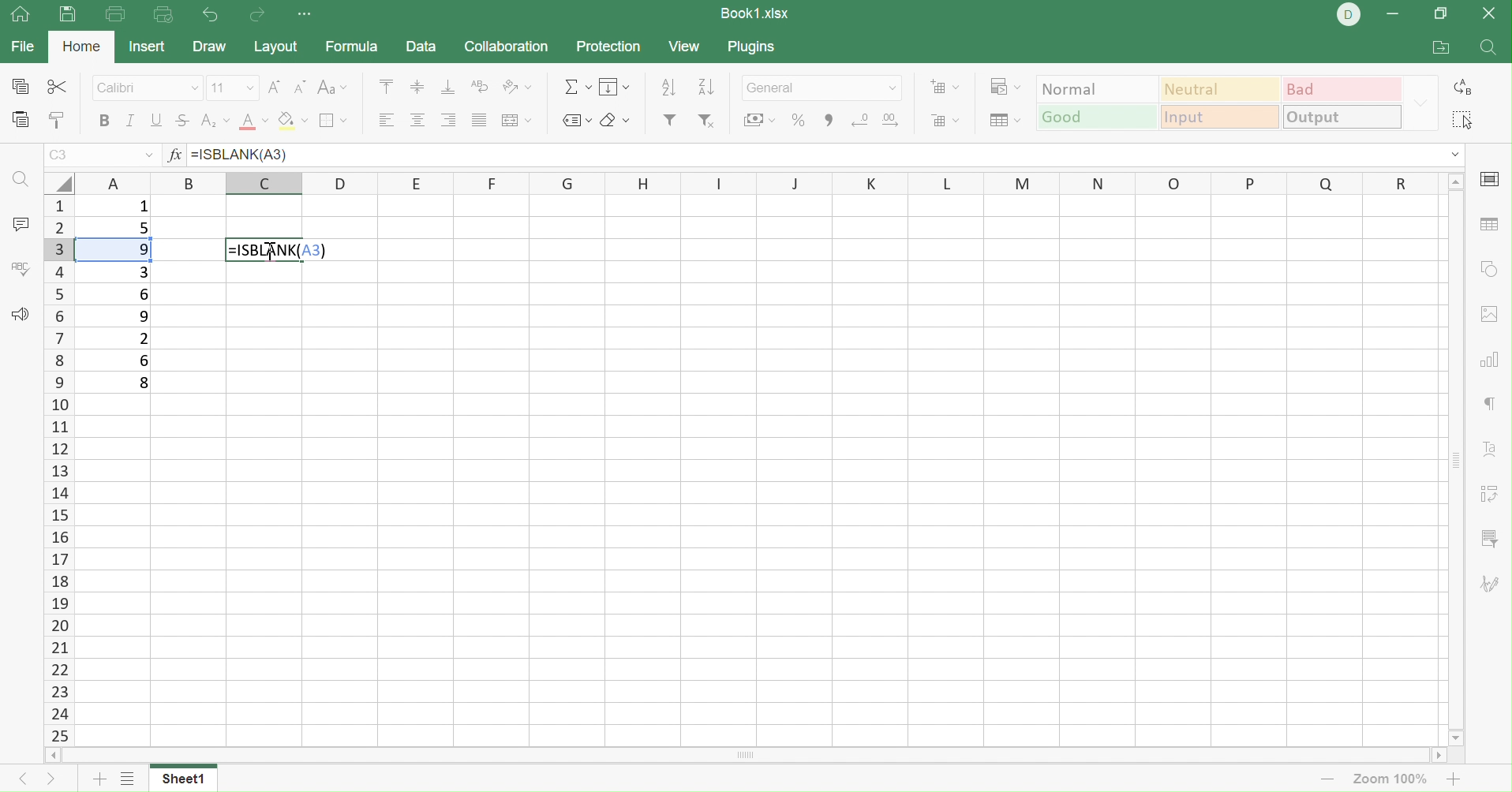 This screenshot has width=1512, height=792. Describe the element at coordinates (20, 226) in the screenshot. I see `Comments` at that location.